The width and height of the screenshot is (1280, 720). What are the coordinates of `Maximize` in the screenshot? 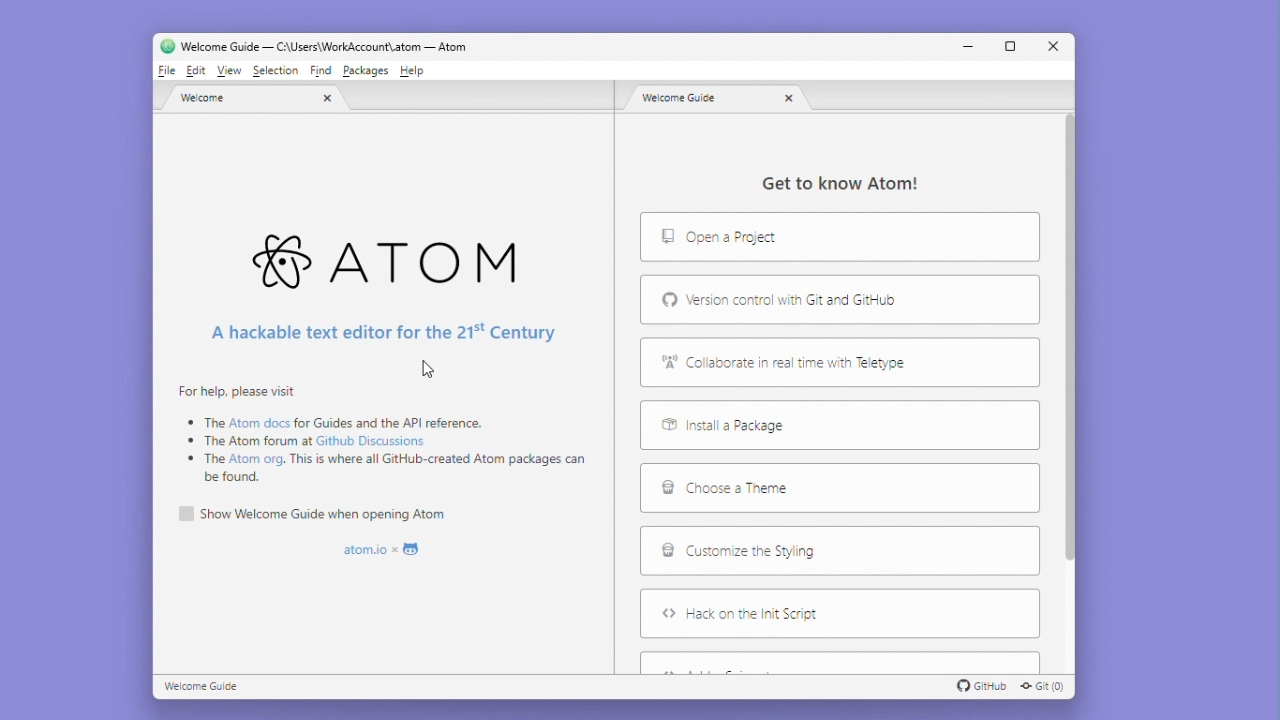 It's located at (1010, 46).